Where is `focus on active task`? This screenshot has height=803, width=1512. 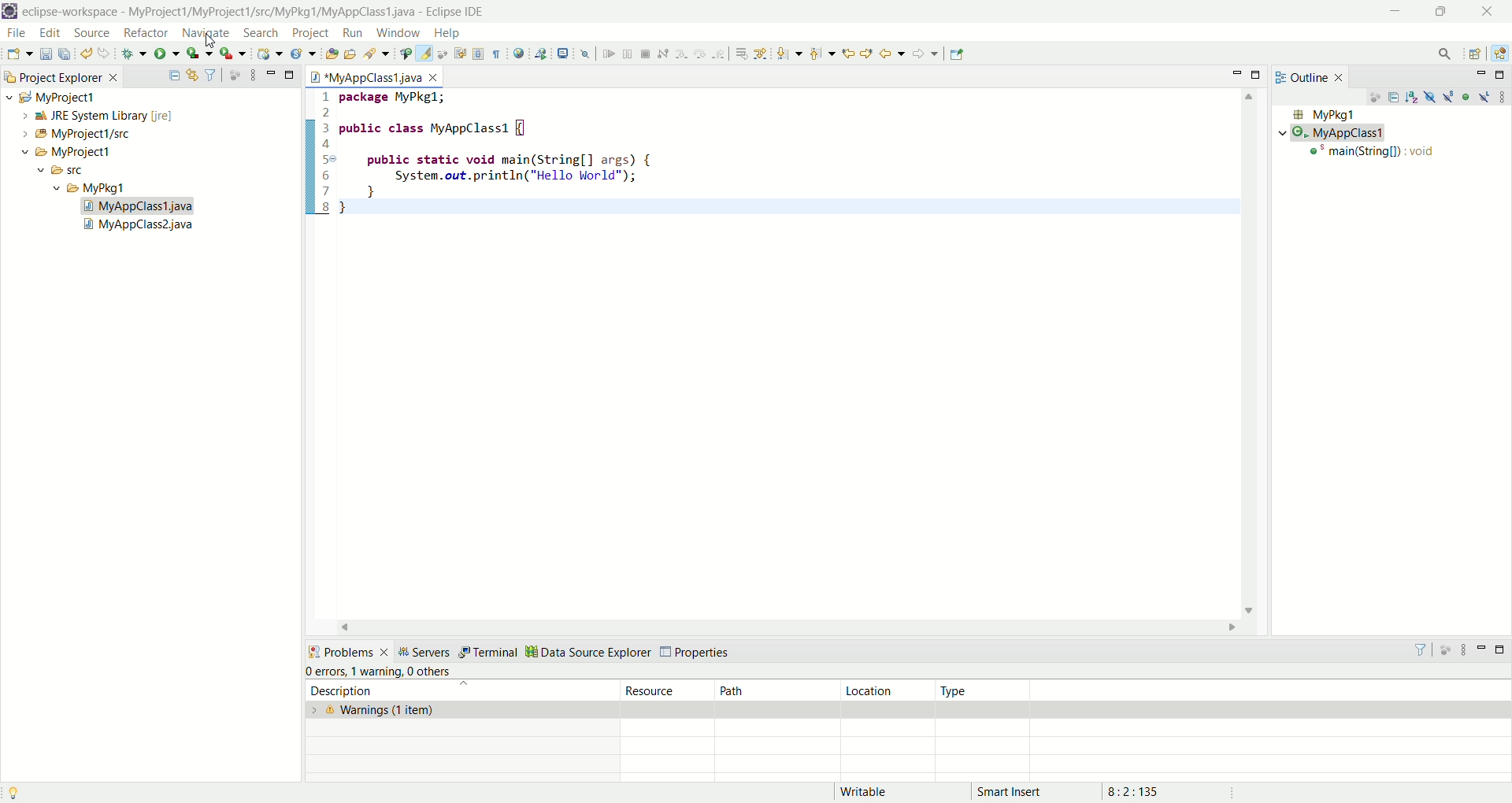
focus on active task is located at coordinates (235, 75).